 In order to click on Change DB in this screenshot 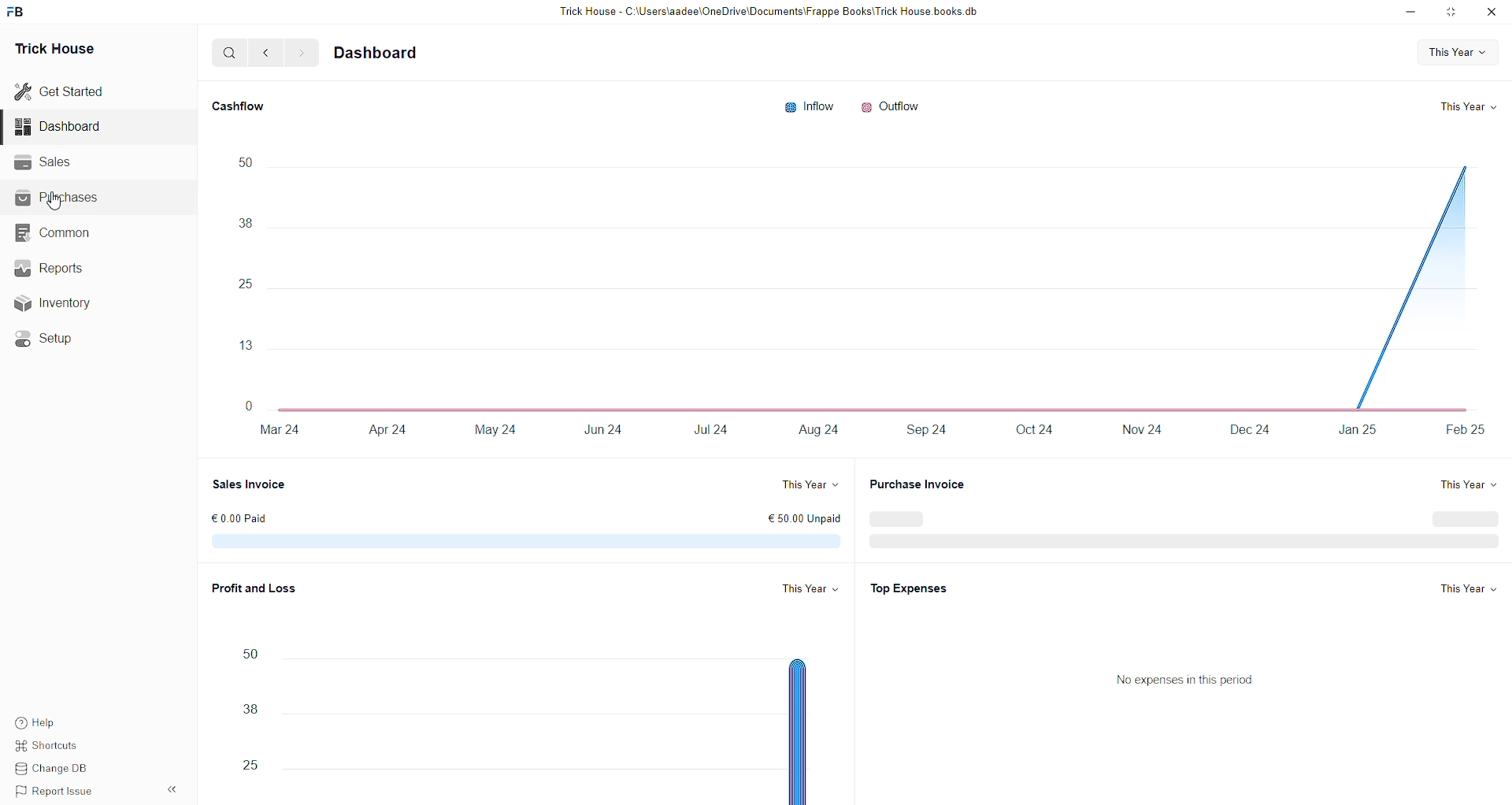, I will do `click(51, 767)`.